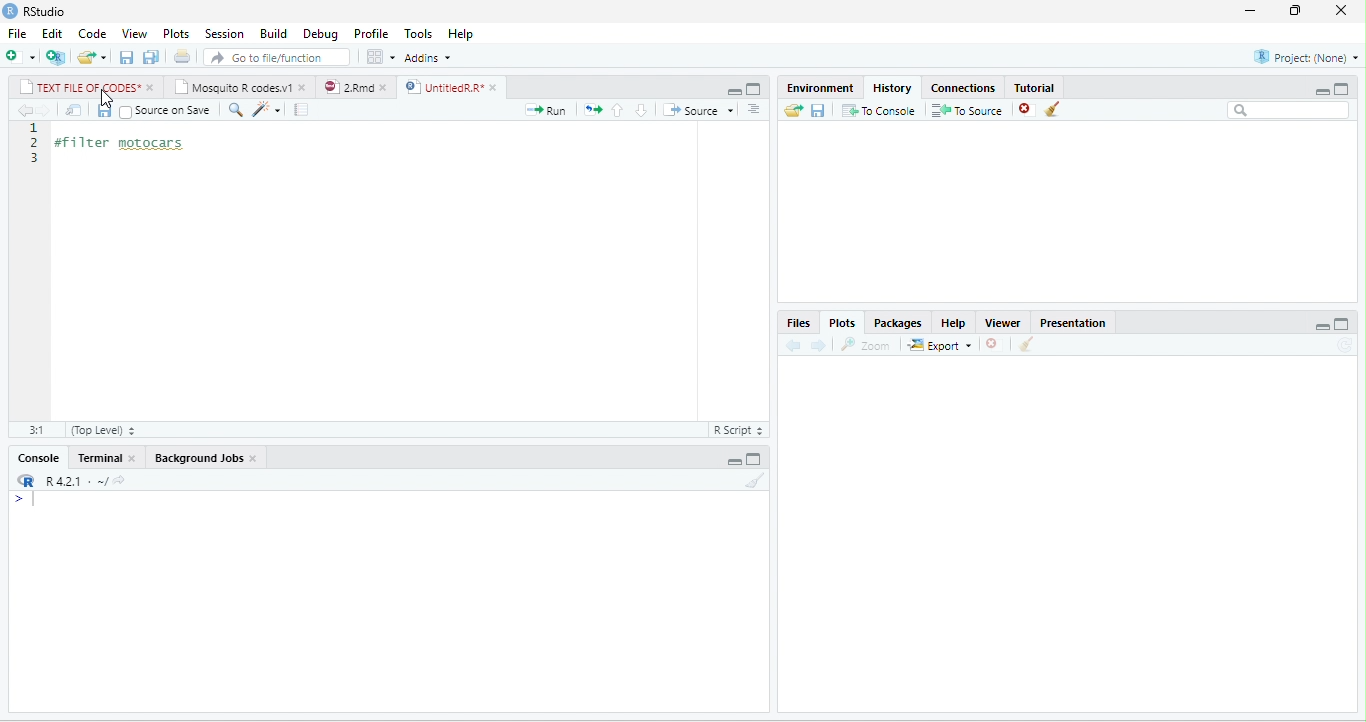 Image resolution: width=1366 pixels, height=722 pixels. I want to click on close, so click(496, 88).